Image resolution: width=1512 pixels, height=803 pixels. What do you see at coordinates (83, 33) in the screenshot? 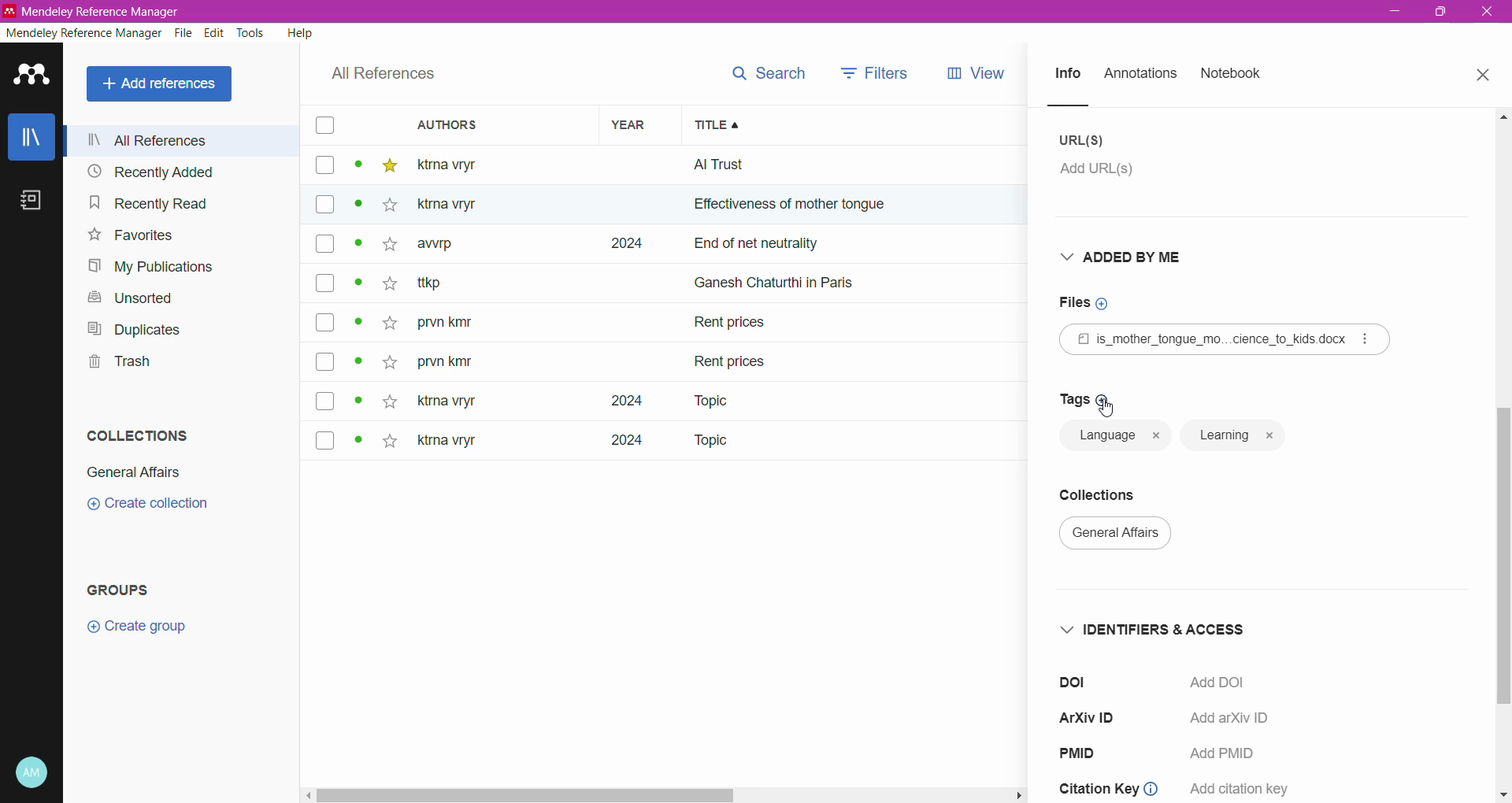
I see `Mendeley Reference Manager` at bounding box center [83, 33].